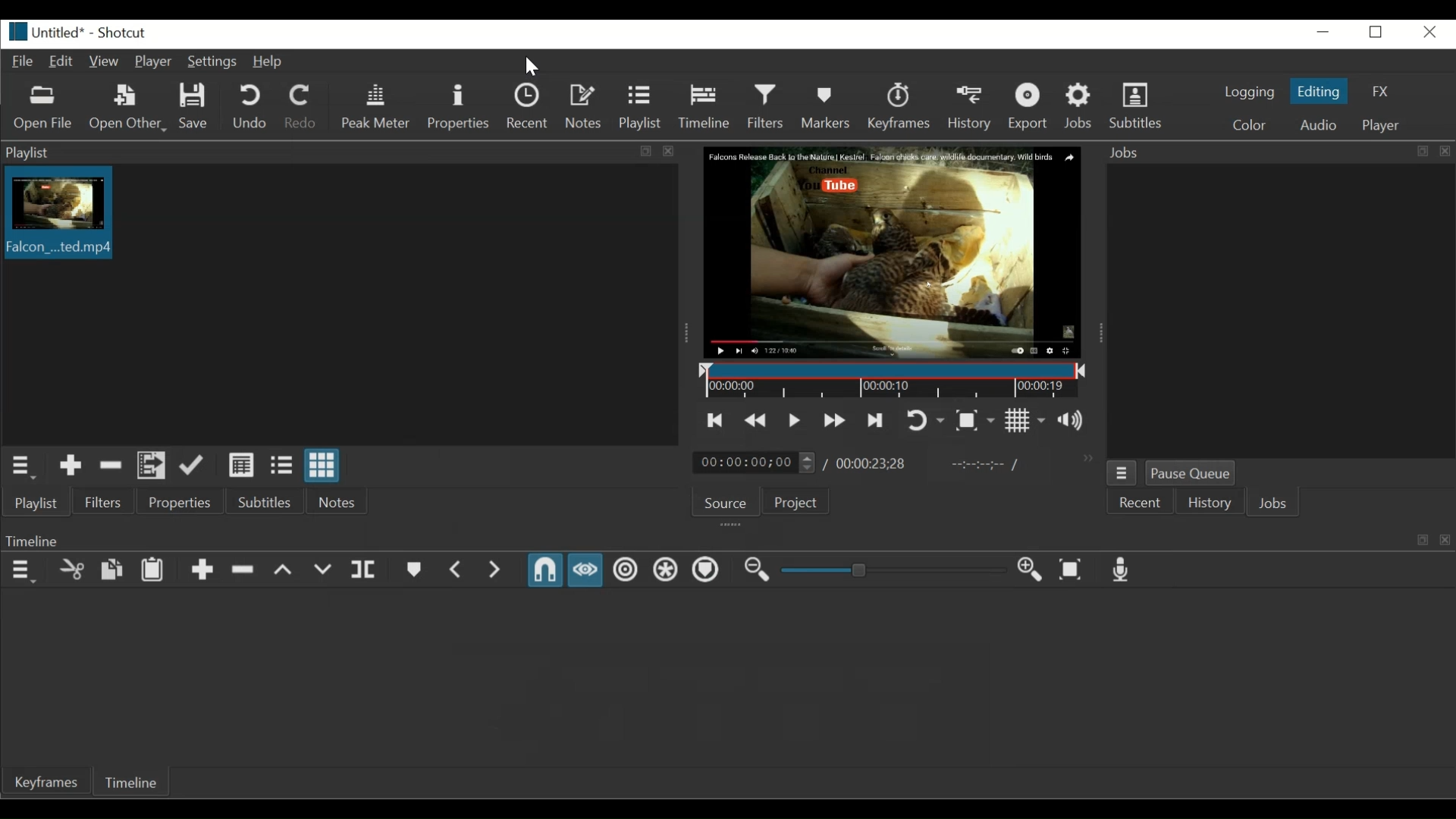 The width and height of the screenshot is (1456, 819). Describe the element at coordinates (103, 502) in the screenshot. I see `Filters` at that location.